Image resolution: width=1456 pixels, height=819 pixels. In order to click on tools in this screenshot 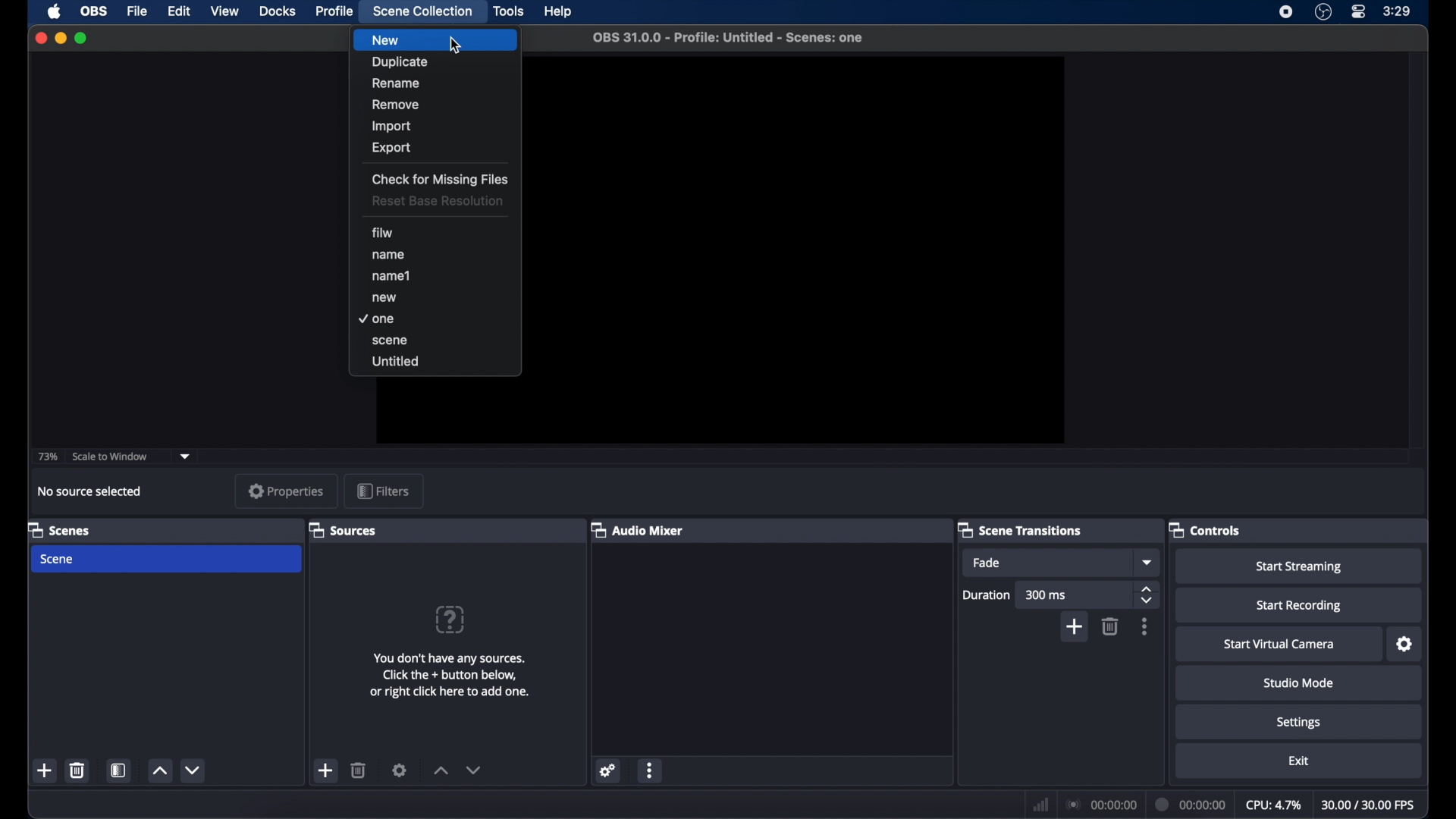, I will do `click(510, 11)`.